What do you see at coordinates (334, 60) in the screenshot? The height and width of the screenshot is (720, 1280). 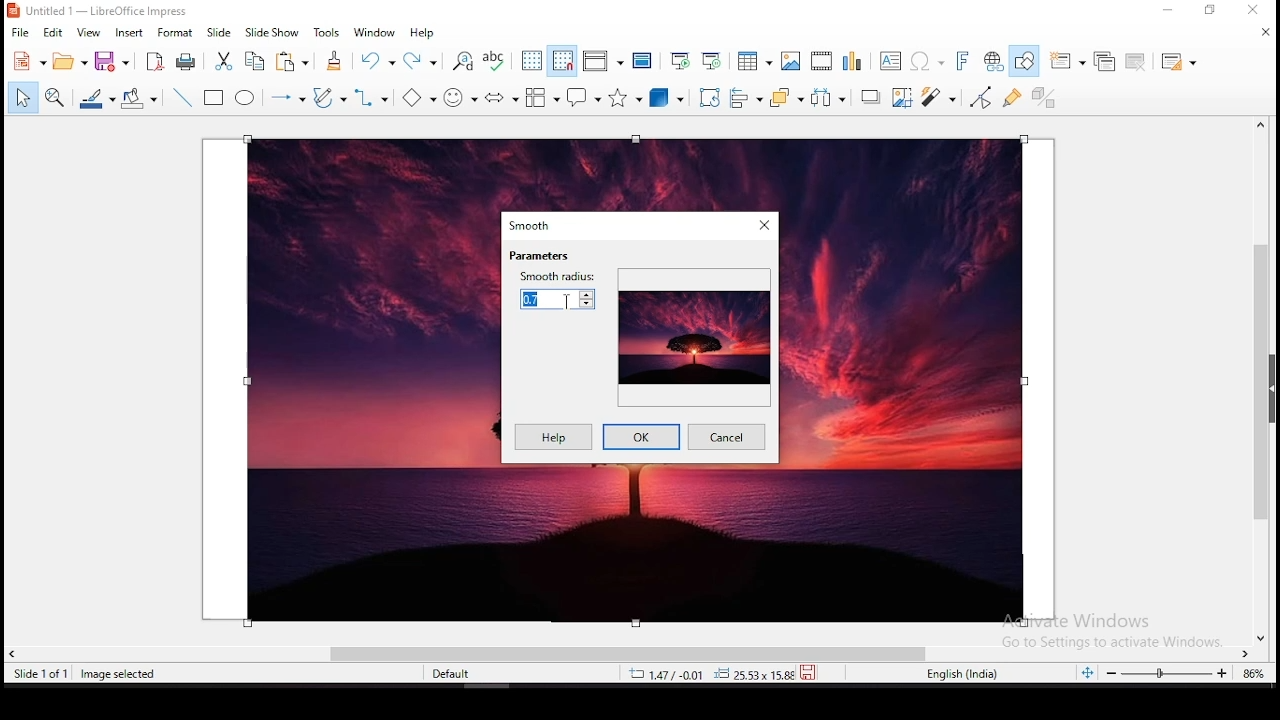 I see `clone formatting` at bounding box center [334, 60].